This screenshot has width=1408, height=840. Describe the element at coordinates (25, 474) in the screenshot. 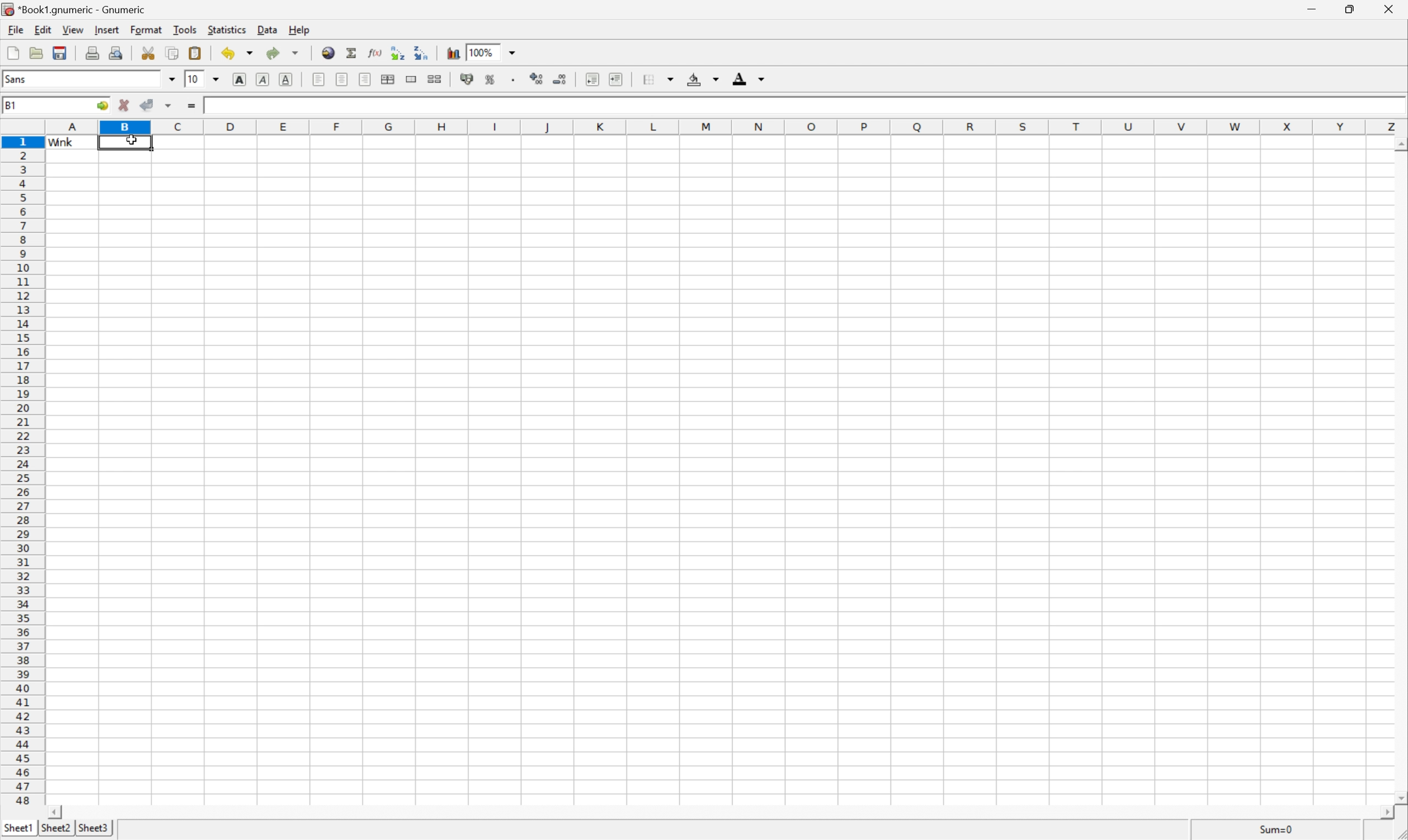

I see `row numbers` at that location.